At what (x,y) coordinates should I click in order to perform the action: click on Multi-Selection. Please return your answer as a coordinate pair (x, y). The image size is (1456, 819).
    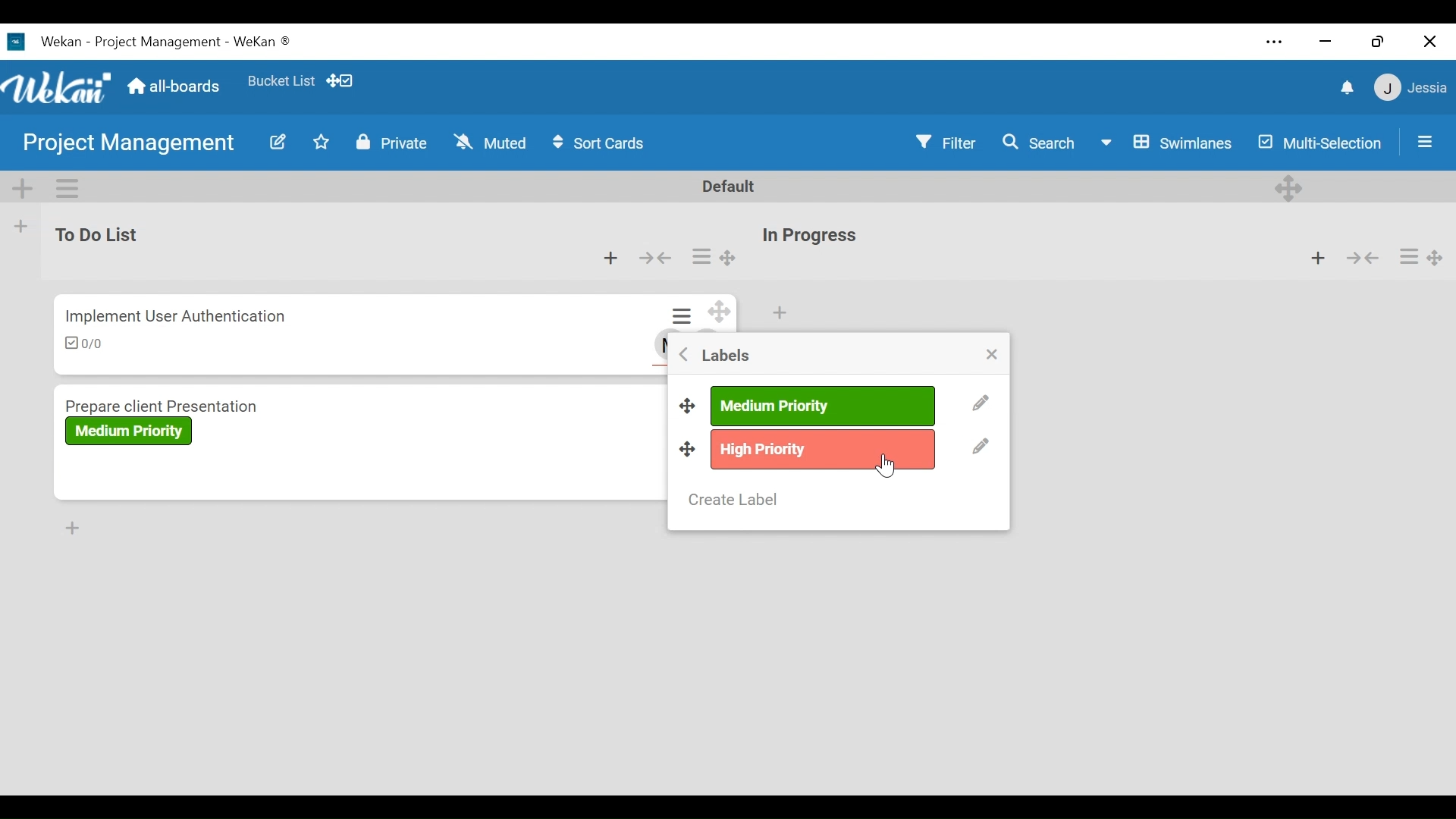
    Looking at the image, I should click on (1317, 142).